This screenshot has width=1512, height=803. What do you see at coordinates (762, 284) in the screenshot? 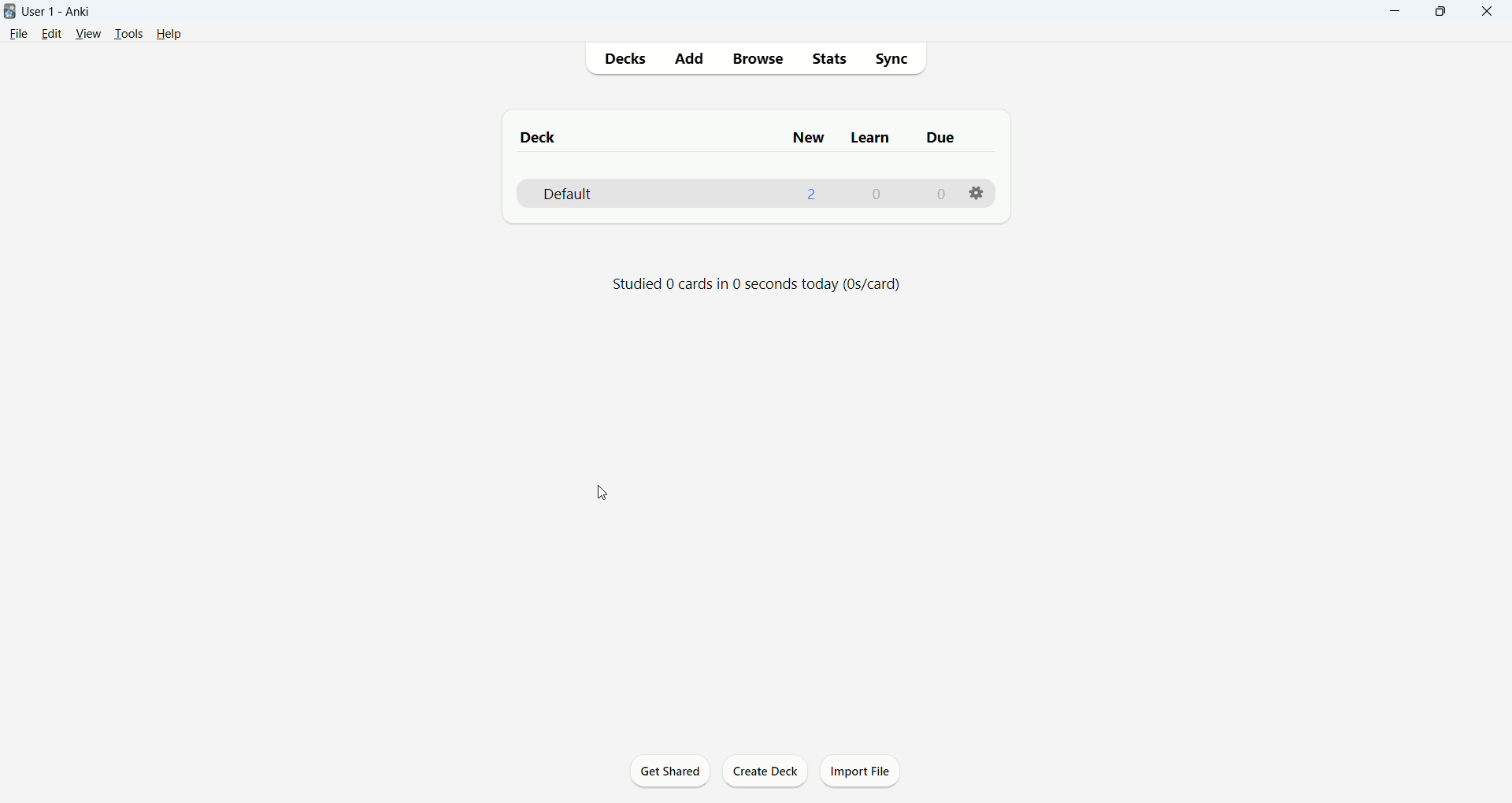
I see `text` at bounding box center [762, 284].